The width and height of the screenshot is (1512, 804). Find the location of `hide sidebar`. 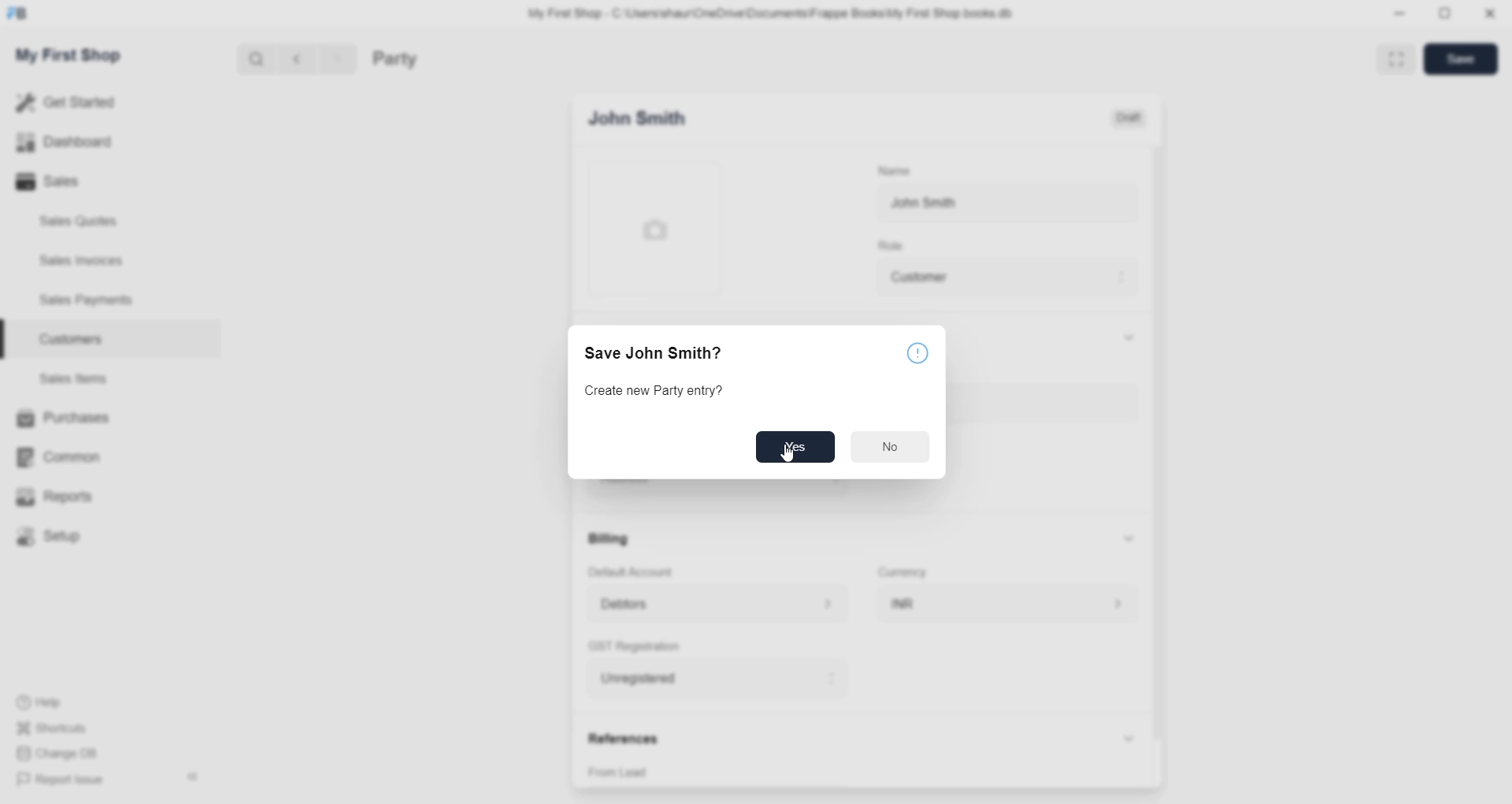

hide sidebar is located at coordinates (188, 778).